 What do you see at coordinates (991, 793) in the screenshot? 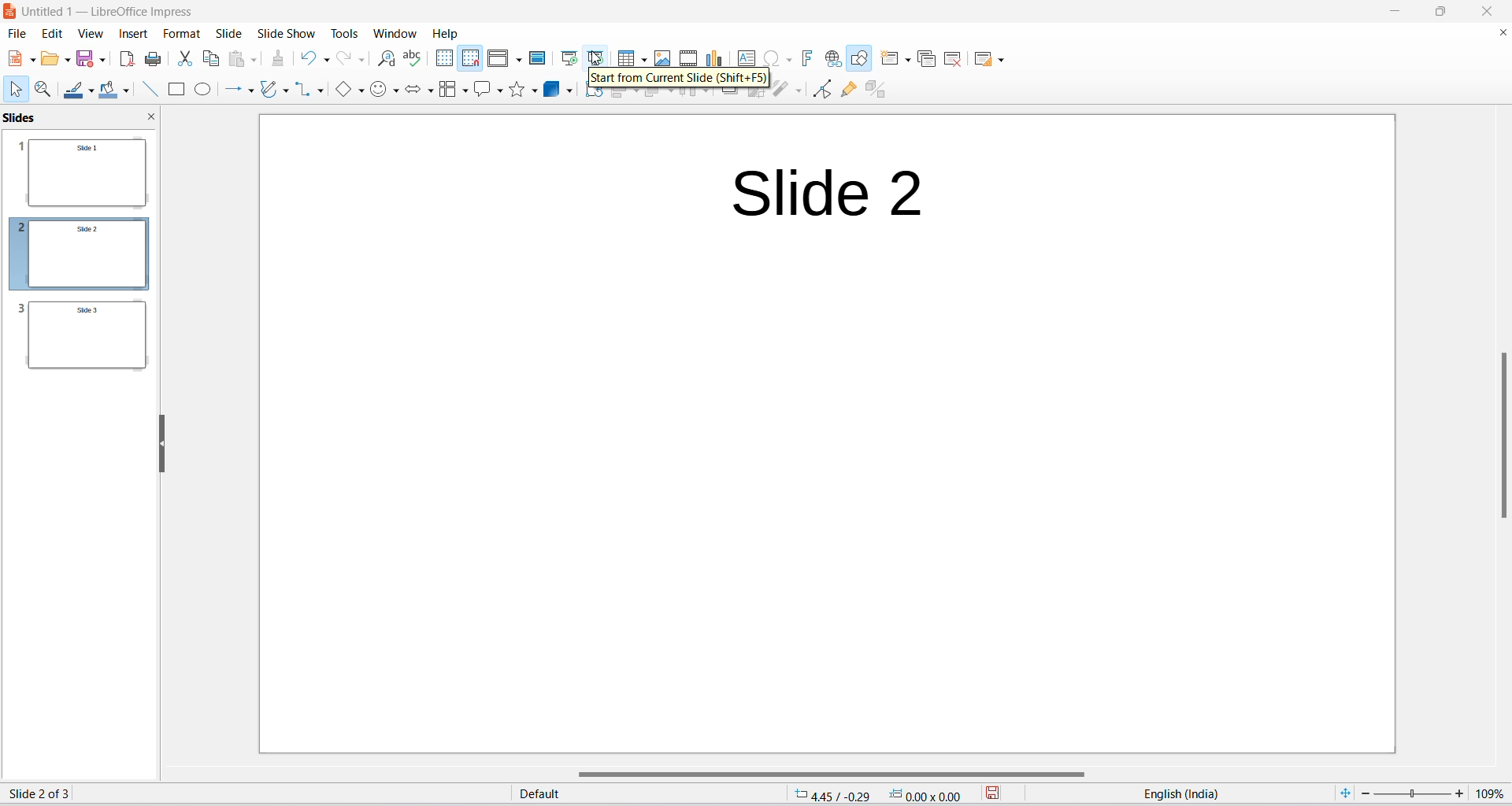
I see `save` at bounding box center [991, 793].